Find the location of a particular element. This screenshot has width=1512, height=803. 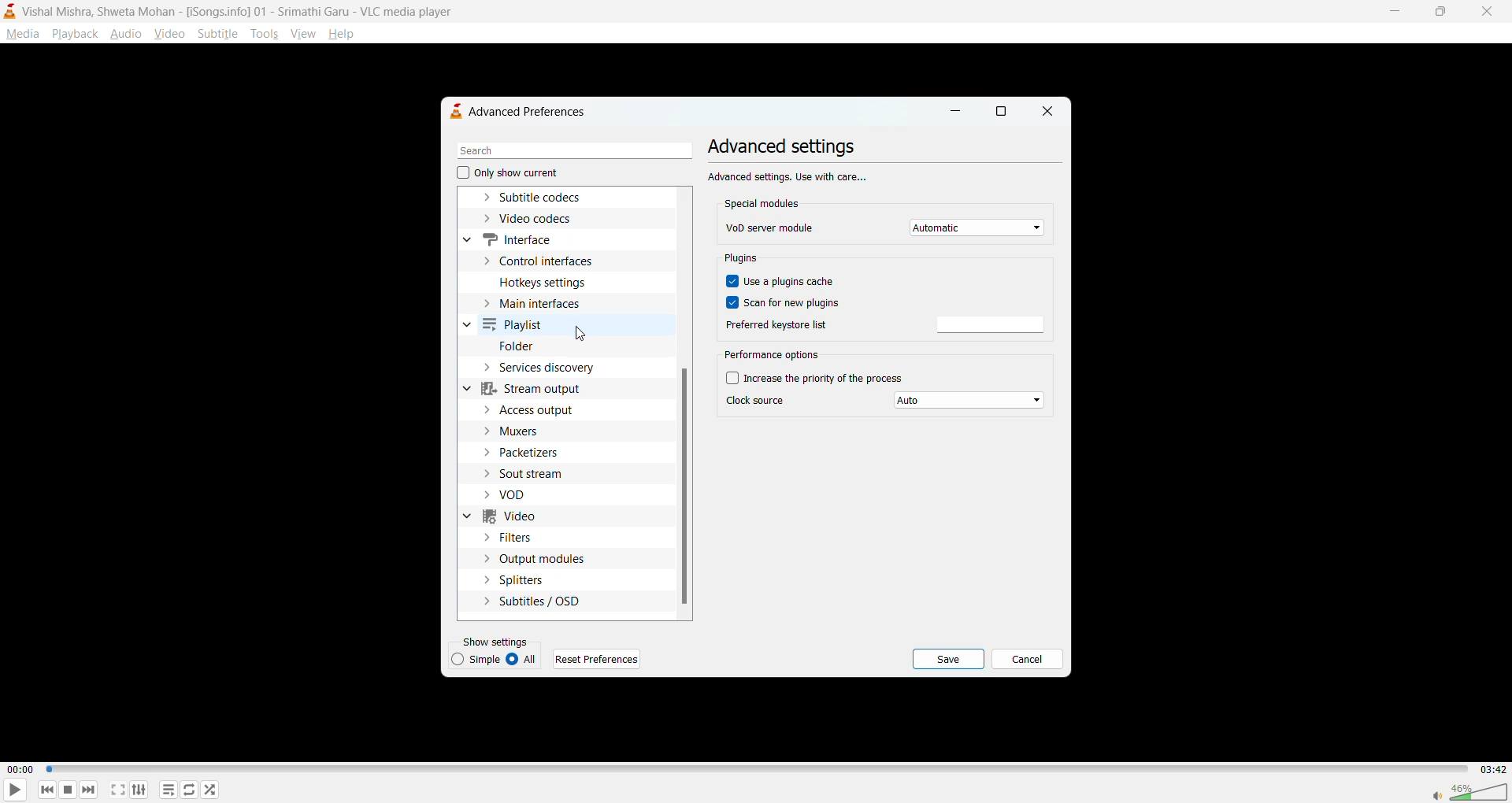

stream  output is located at coordinates (540, 388).